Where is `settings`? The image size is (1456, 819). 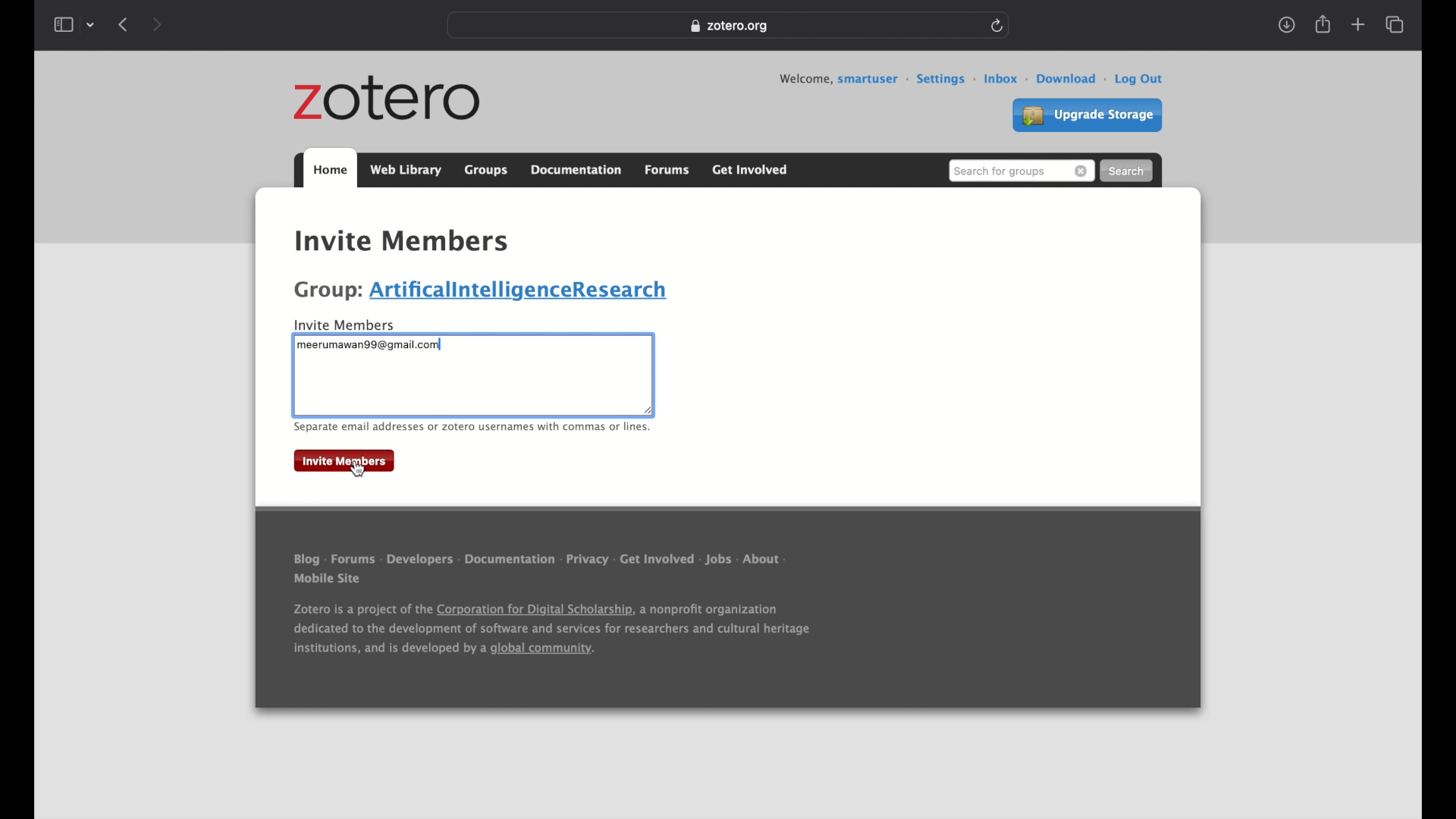
settings is located at coordinates (946, 80).